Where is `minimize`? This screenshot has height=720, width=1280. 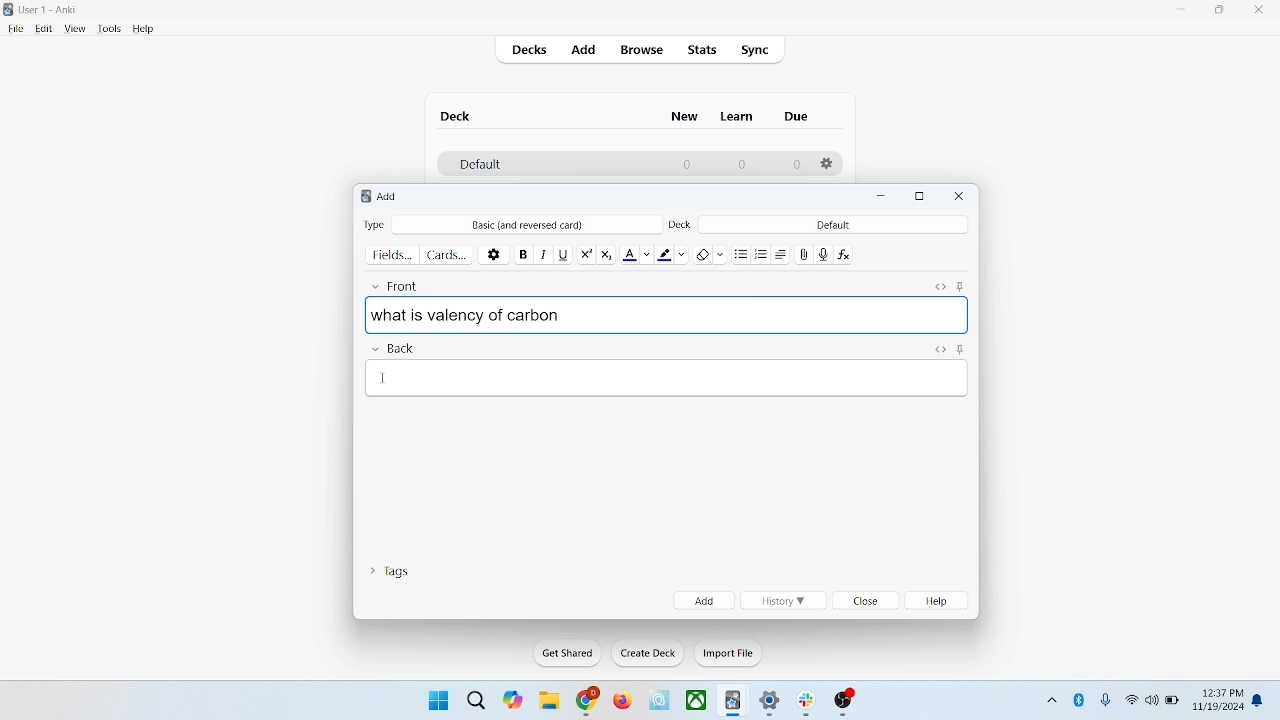 minimize is located at coordinates (1183, 10).